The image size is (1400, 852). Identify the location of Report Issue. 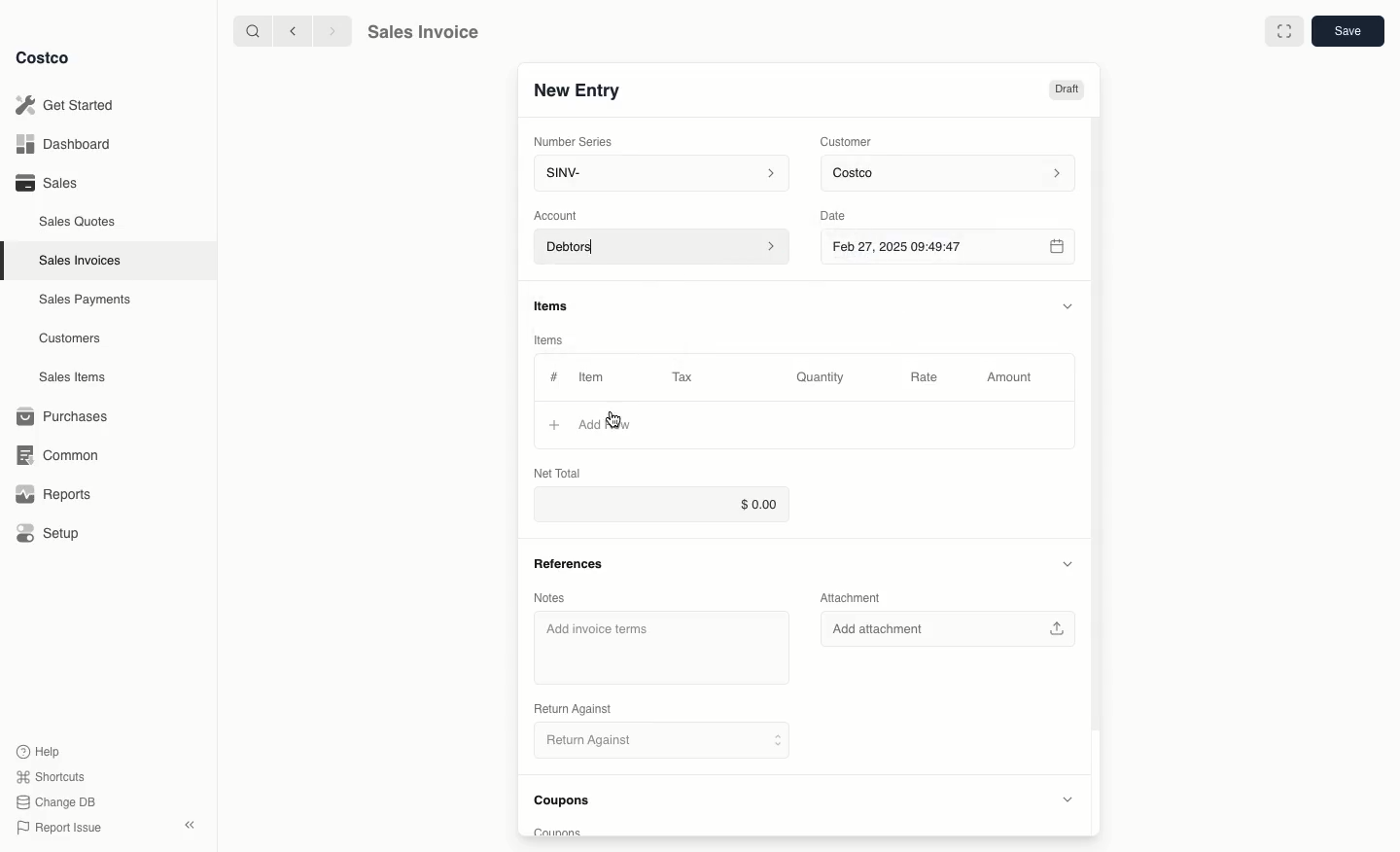
(59, 828).